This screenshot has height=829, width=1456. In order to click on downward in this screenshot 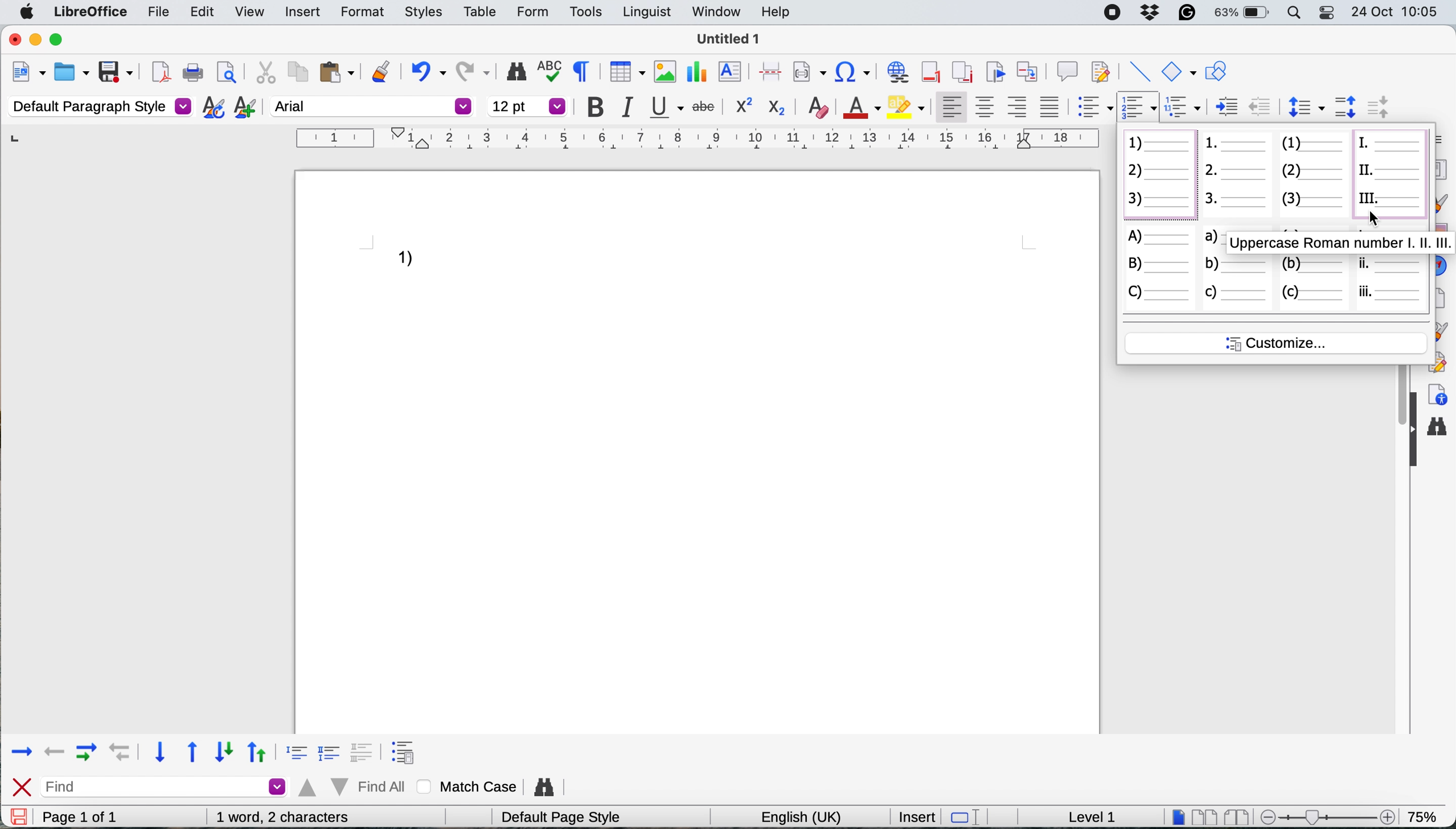, I will do `click(162, 753)`.